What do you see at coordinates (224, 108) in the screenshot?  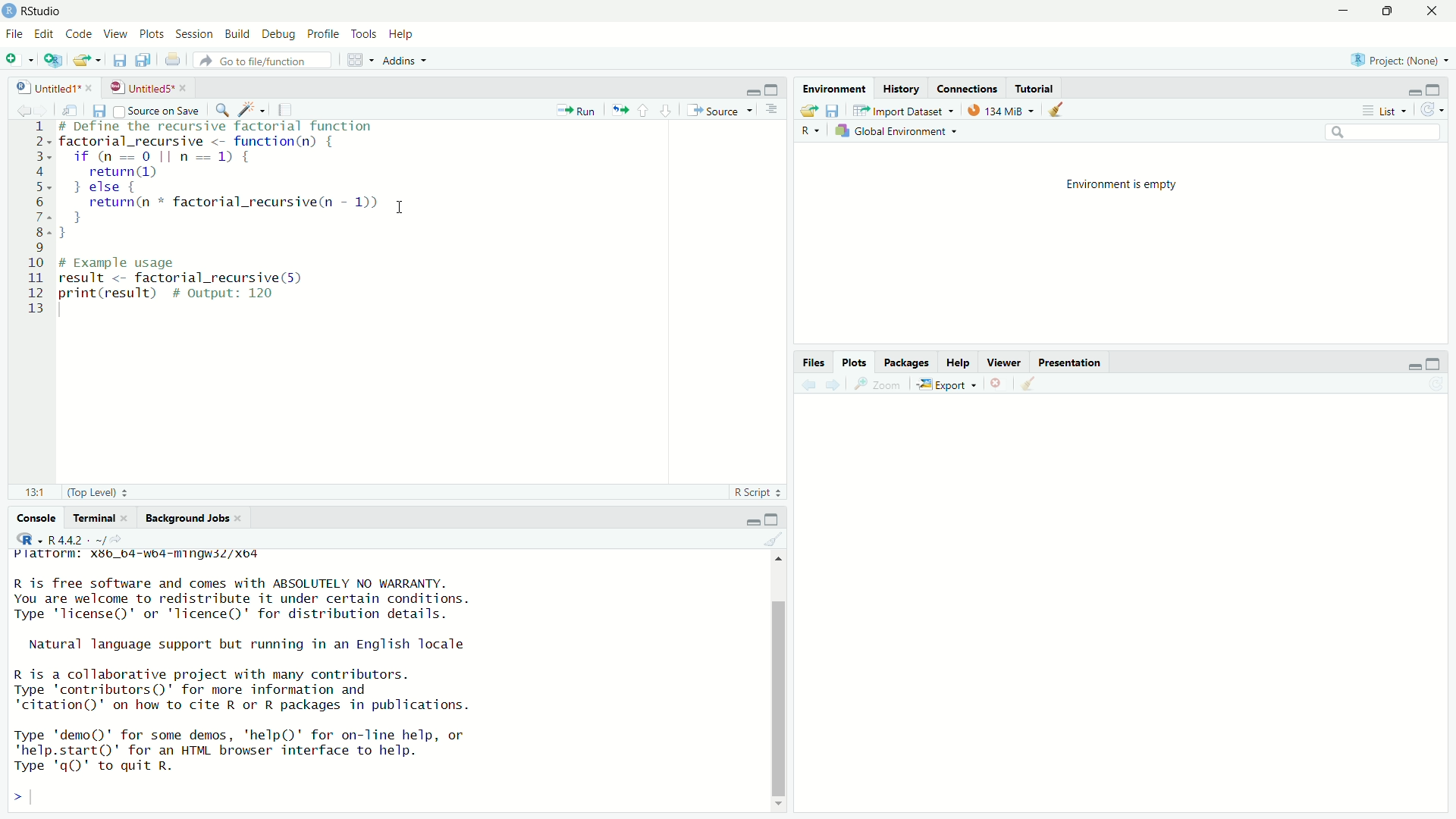 I see `Find/Replace` at bounding box center [224, 108].